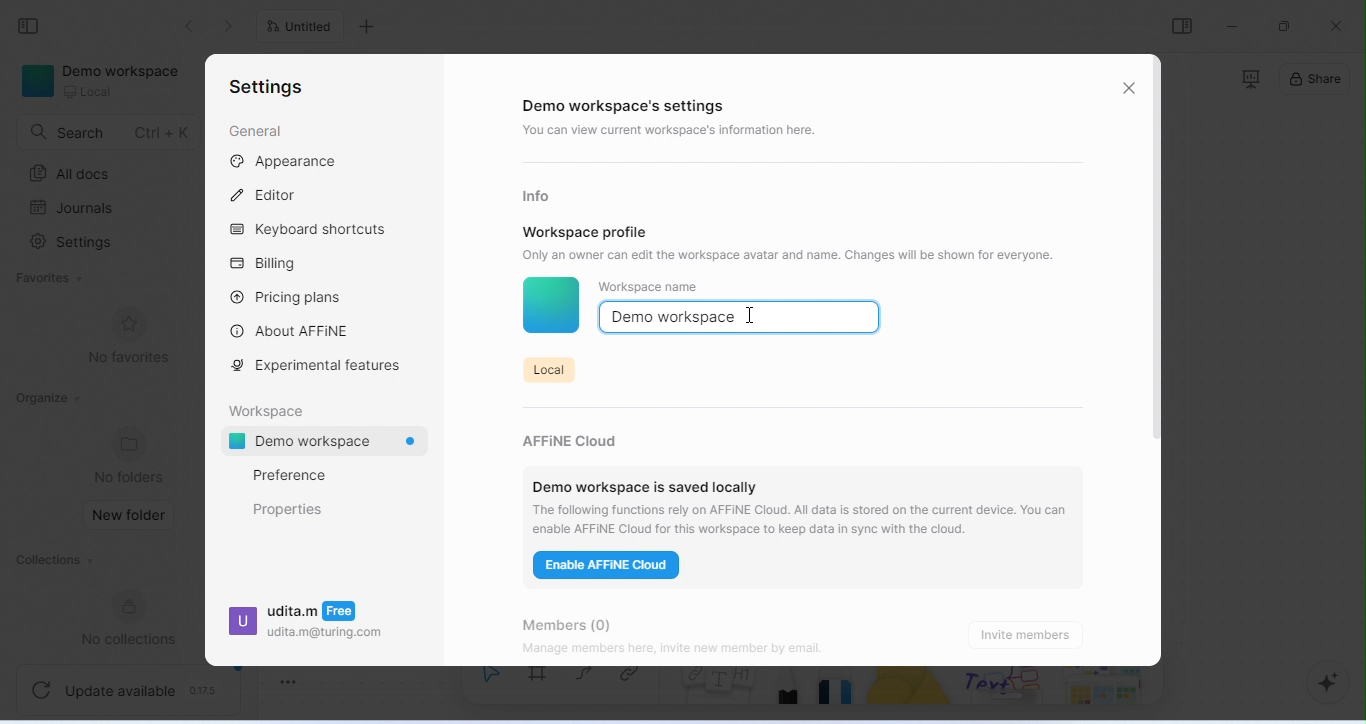 Image resolution: width=1366 pixels, height=724 pixels. Describe the element at coordinates (137, 618) in the screenshot. I see `new collections` at that location.